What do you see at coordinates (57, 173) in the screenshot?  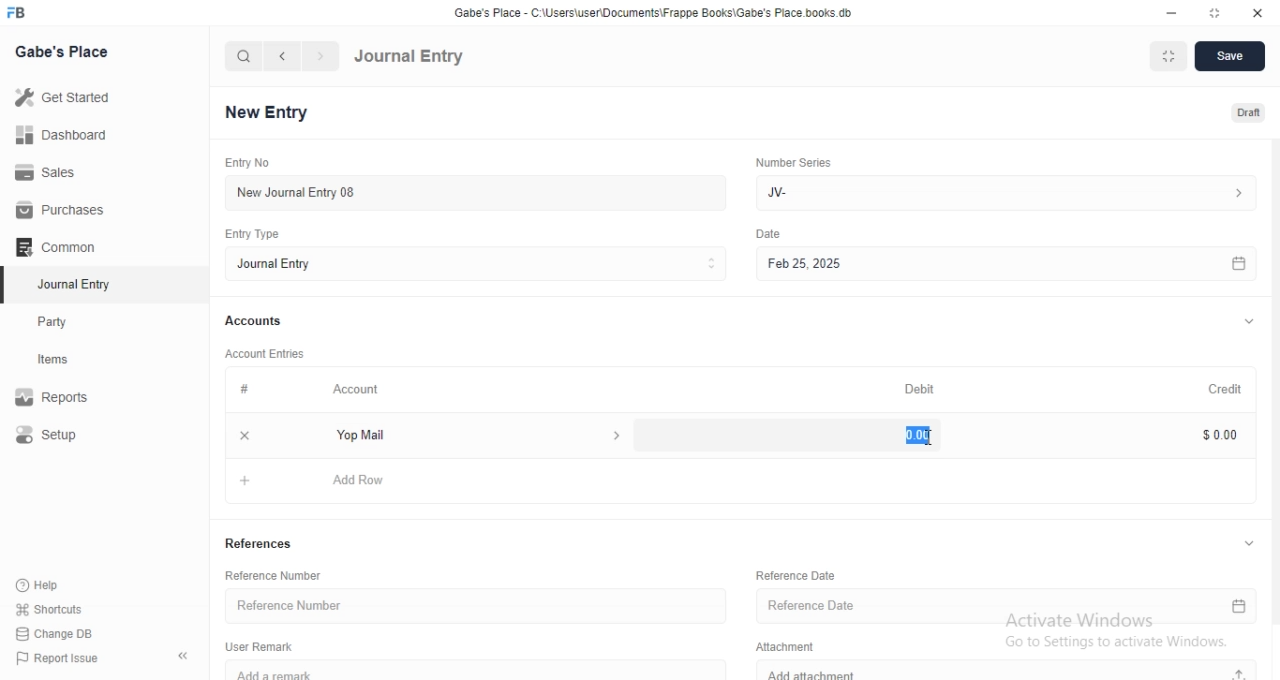 I see `Sales` at bounding box center [57, 173].